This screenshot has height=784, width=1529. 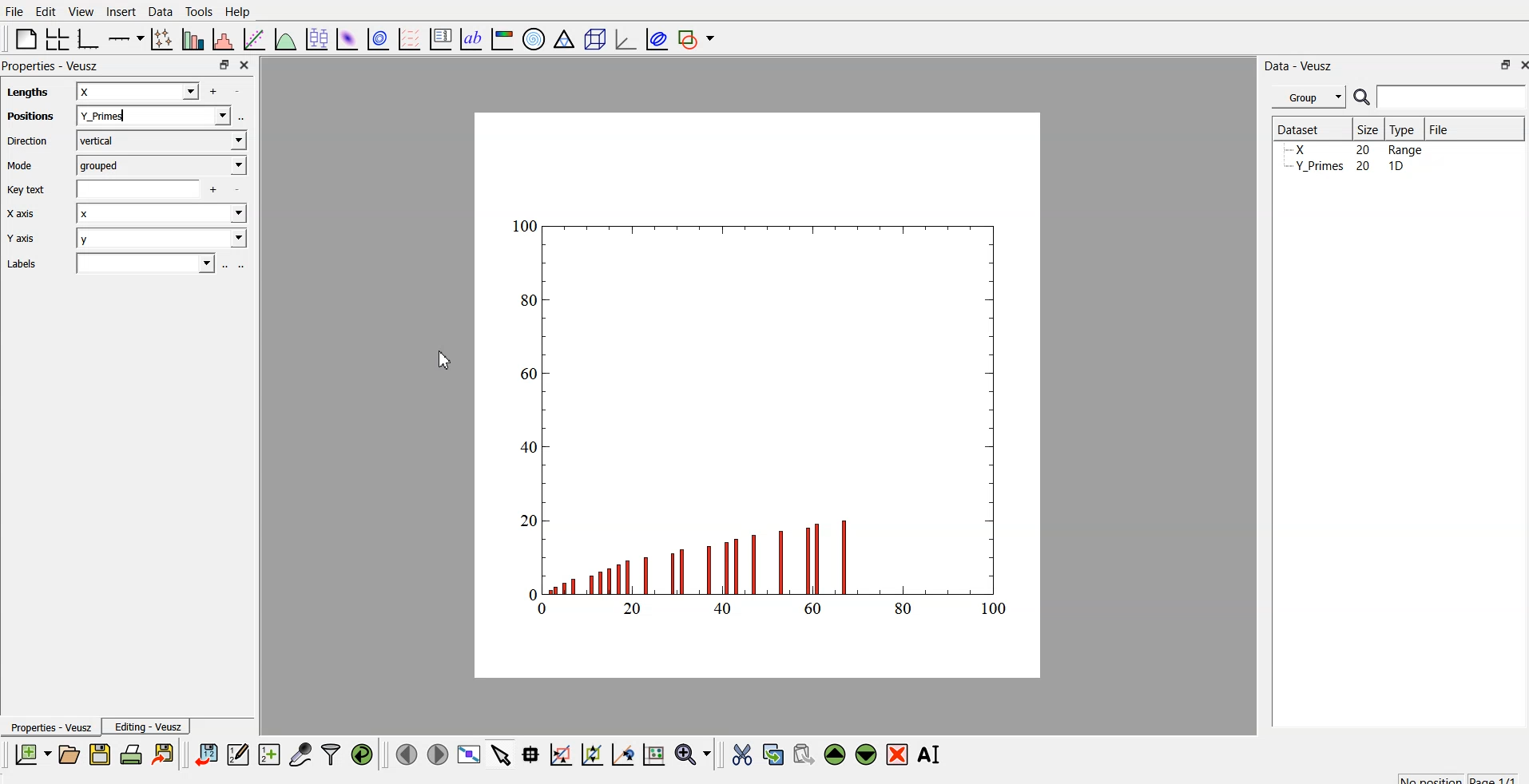 What do you see at coordinates (436, 754) in the screenshot?
I see `move to the next page` at bounding box center [436, 754].